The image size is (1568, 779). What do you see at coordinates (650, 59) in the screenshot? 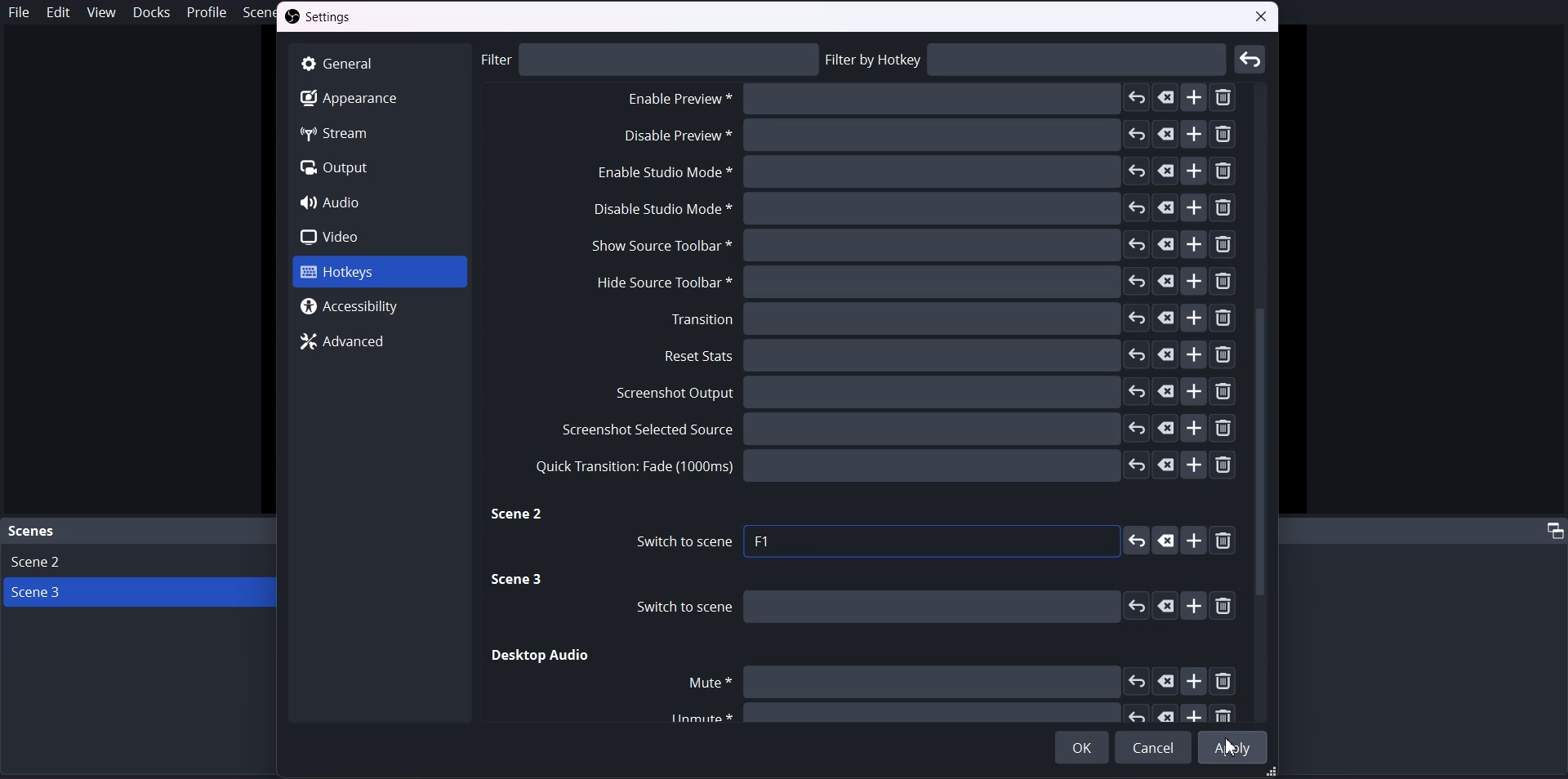
I see `philtre` at bounding box center [650, 59].